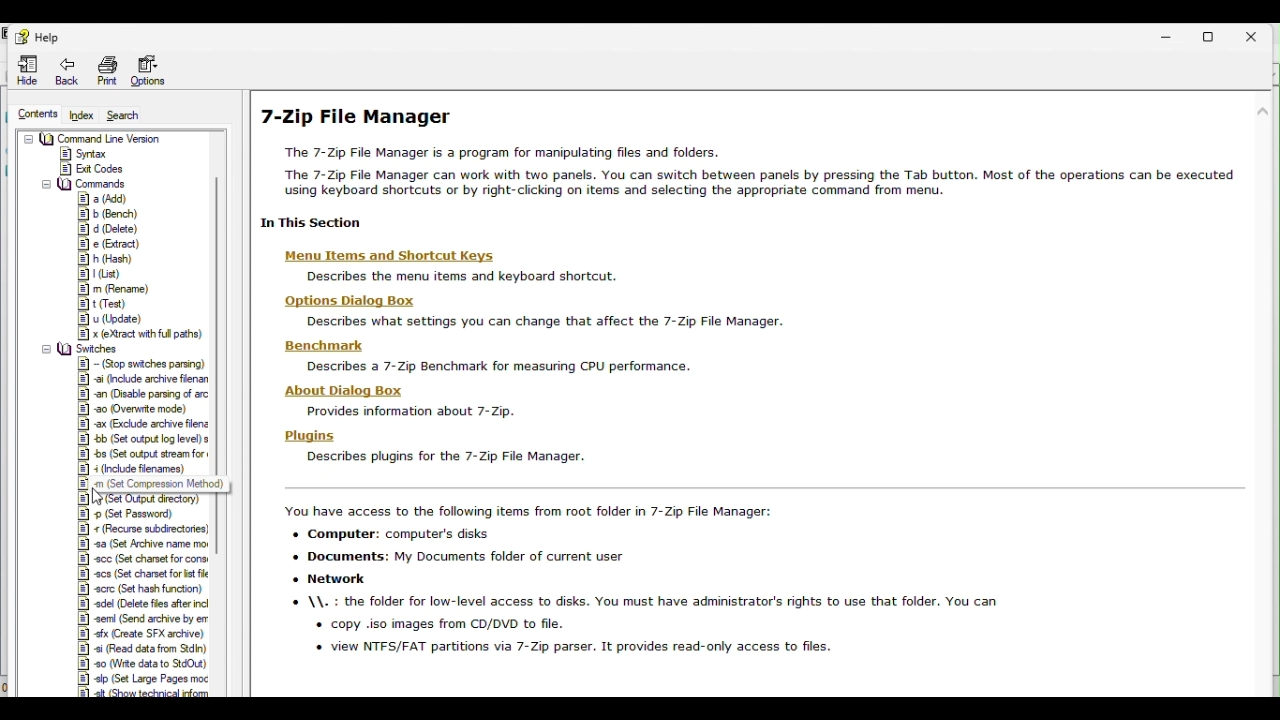 This screenshot has height=720, width=1280. Describe the element at coordinates (1212, 33) in the screenshot. I see `Restore` at that location.